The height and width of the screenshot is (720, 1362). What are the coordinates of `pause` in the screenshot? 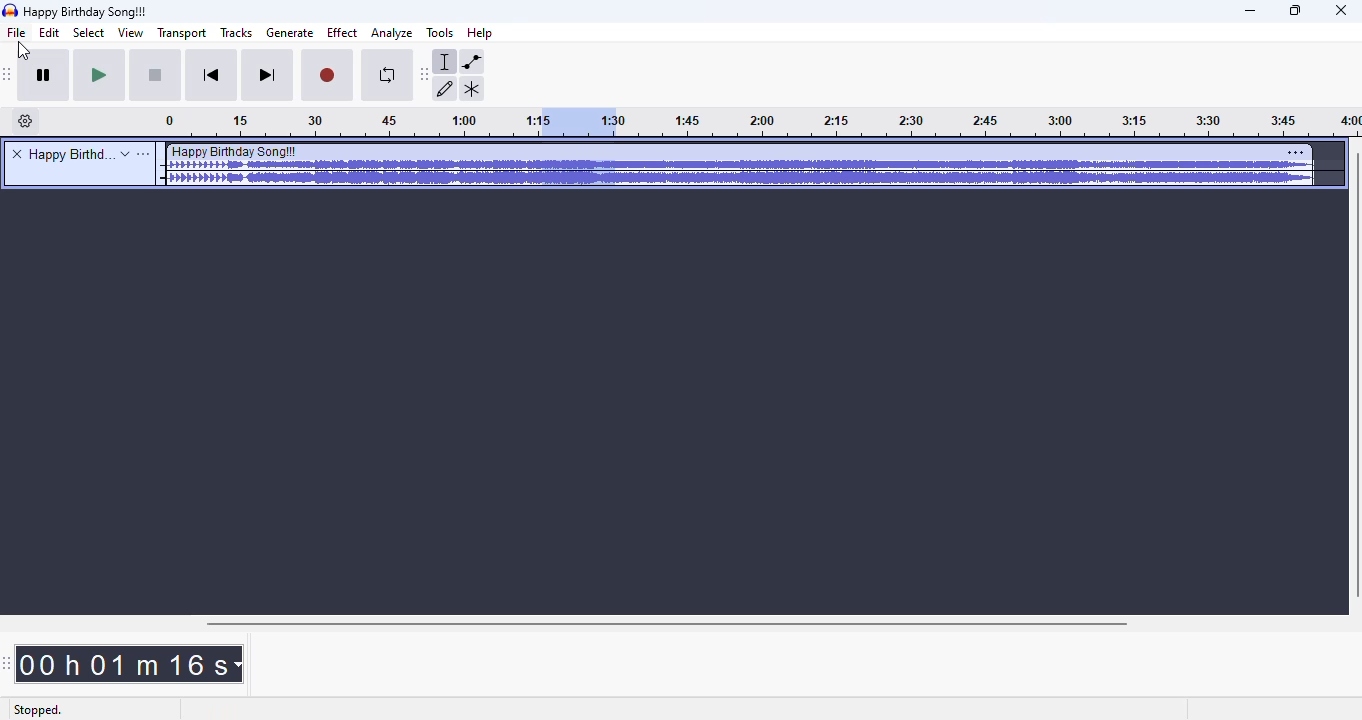 It's located at (47, 77).